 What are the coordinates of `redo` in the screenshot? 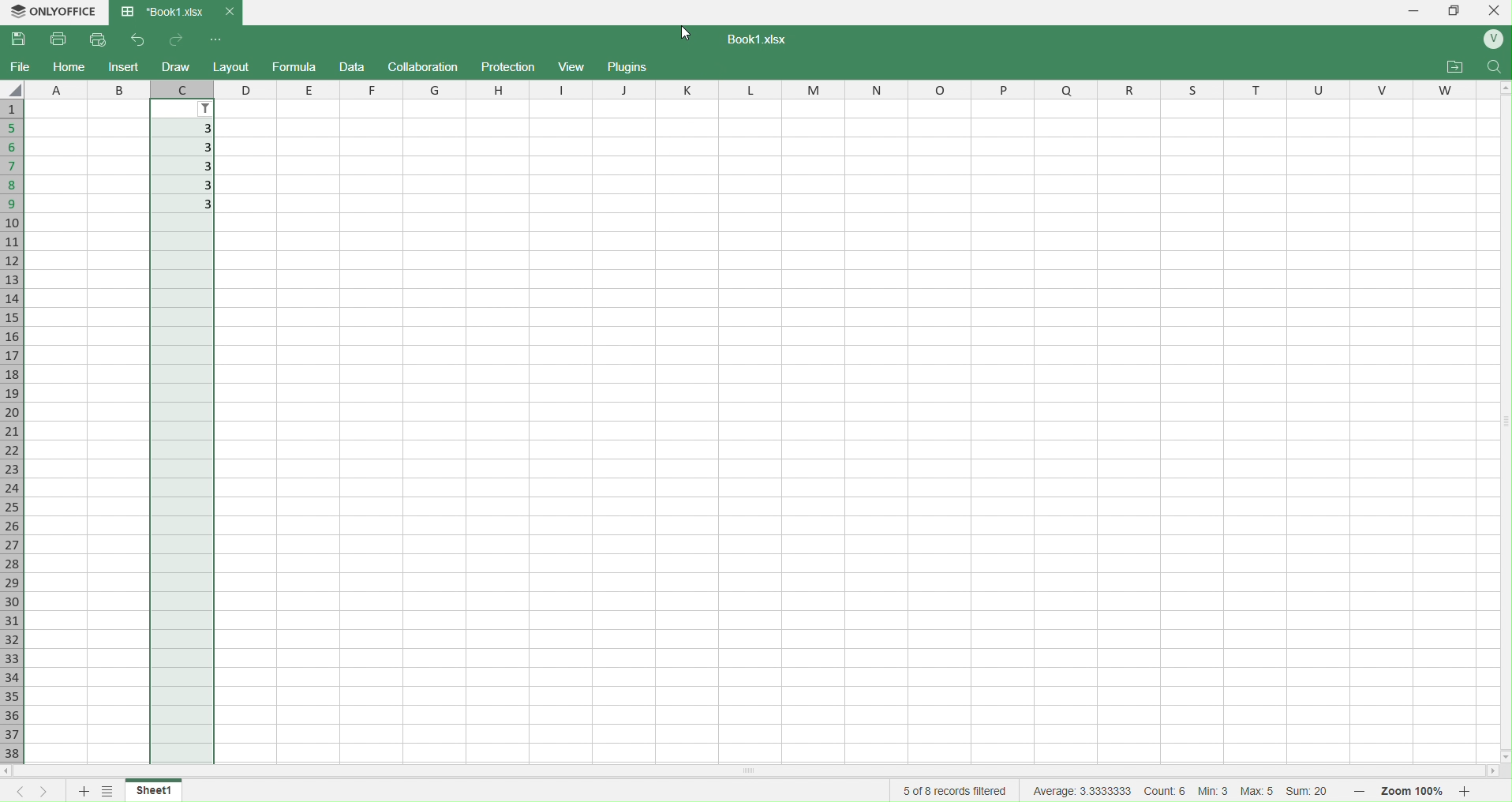 It's located at (175, 39).